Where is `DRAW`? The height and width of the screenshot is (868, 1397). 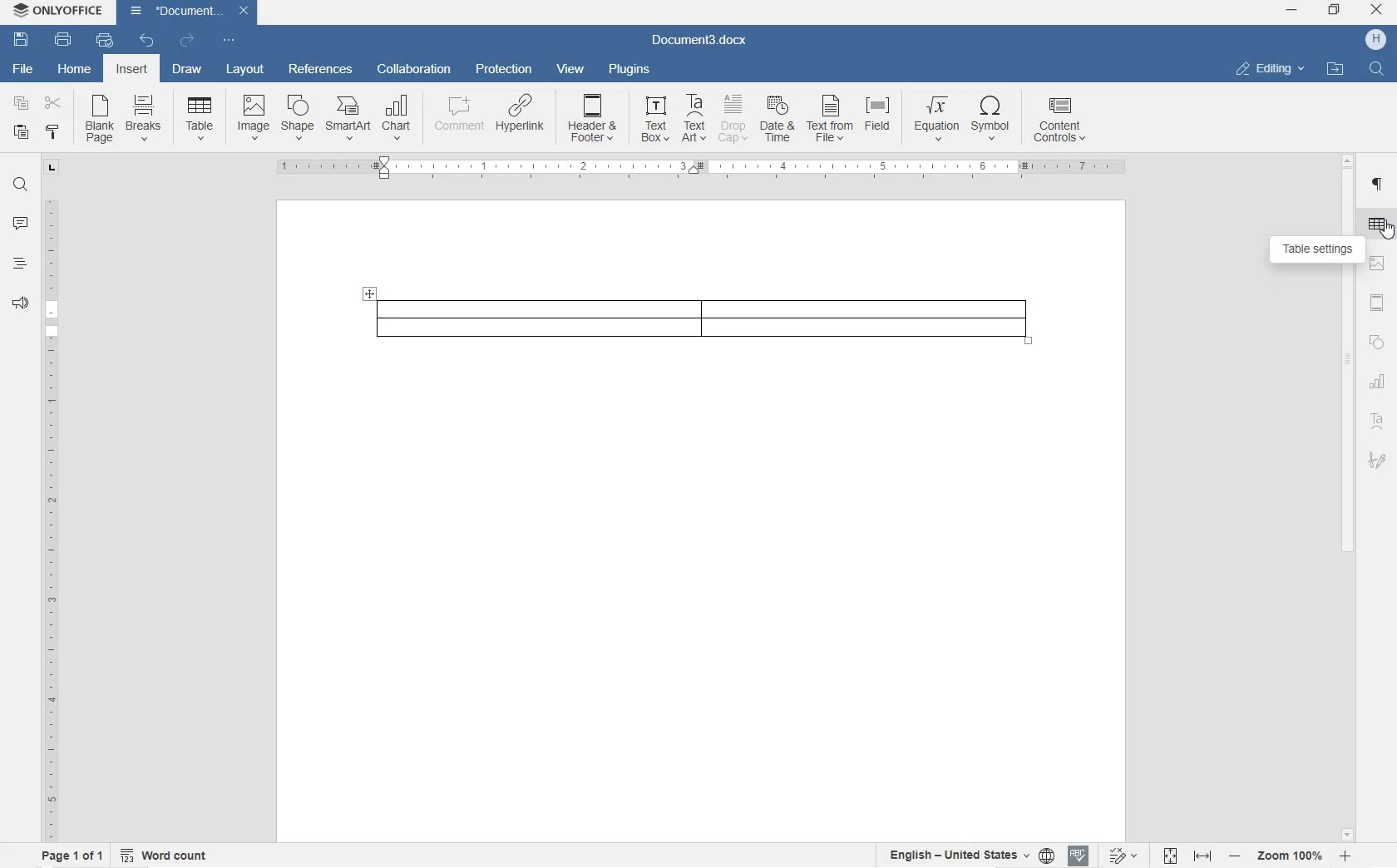
DRAW is located at coordinates (185, 72).